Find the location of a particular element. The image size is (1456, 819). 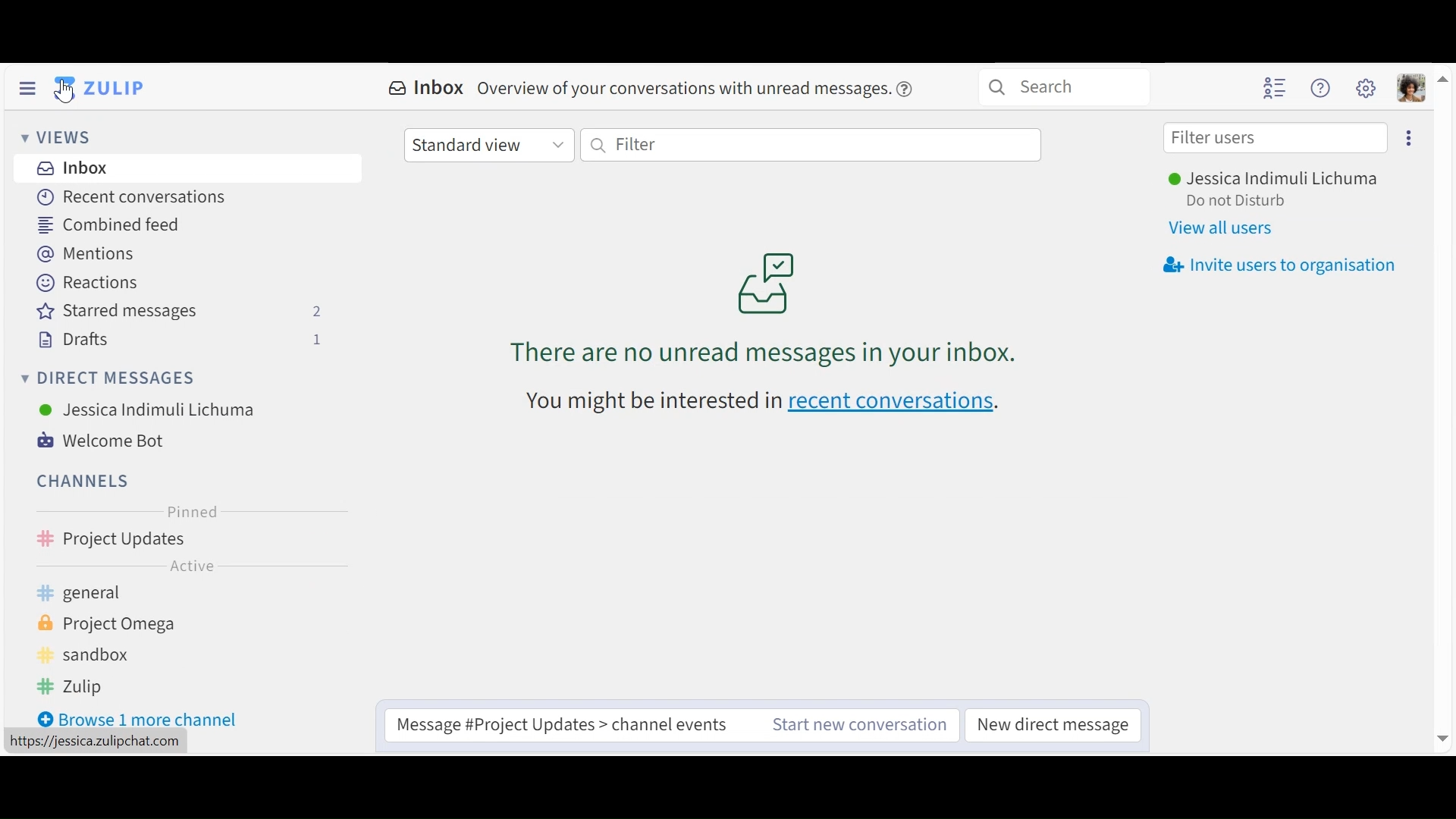

Show/Hide Side Pane is located at coordinates (27, 89).